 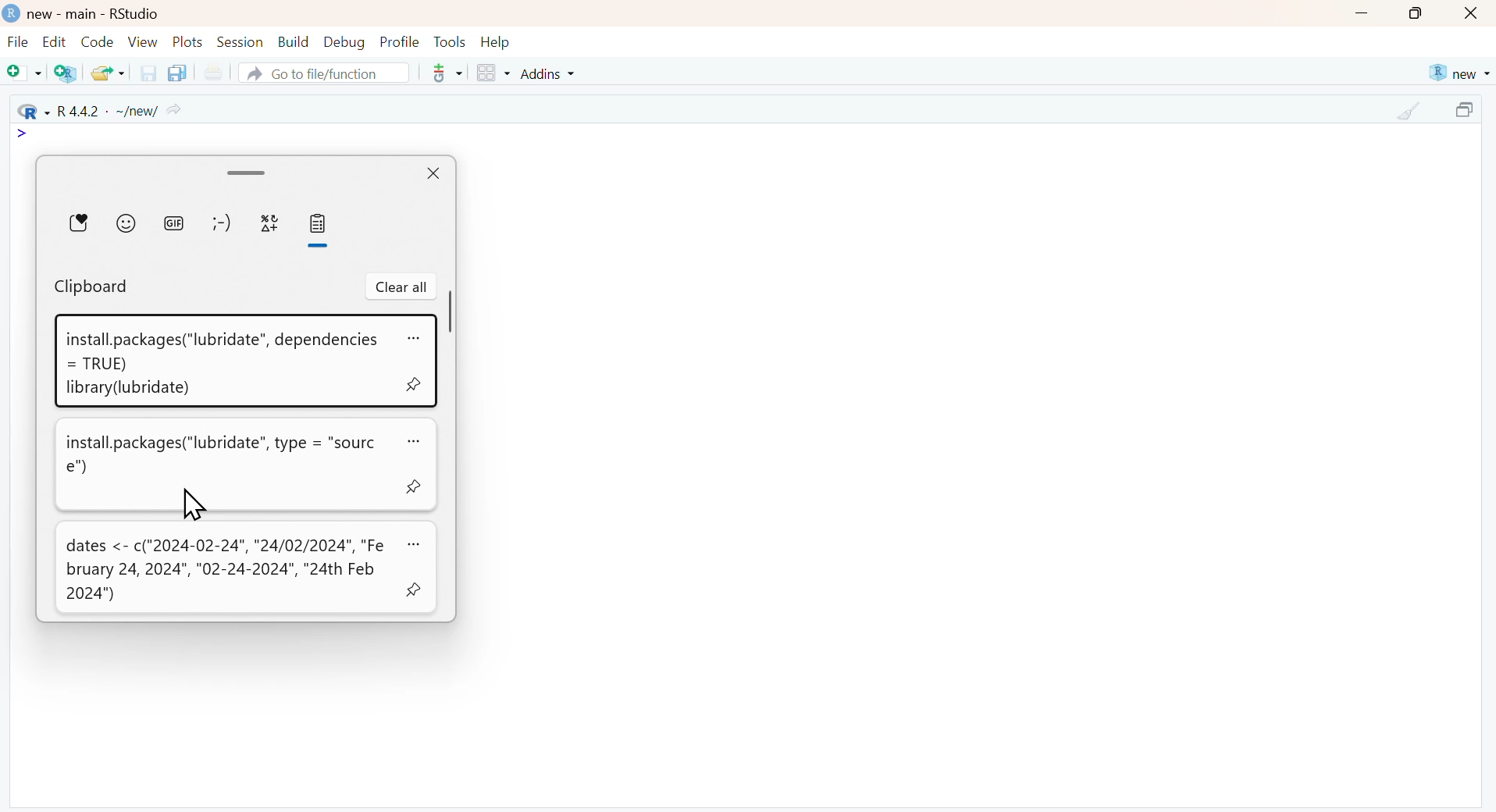 What do you see at coordinates (107, 72) in the screenshot?
I see `open an existing file` at bounding box center [107, 72].